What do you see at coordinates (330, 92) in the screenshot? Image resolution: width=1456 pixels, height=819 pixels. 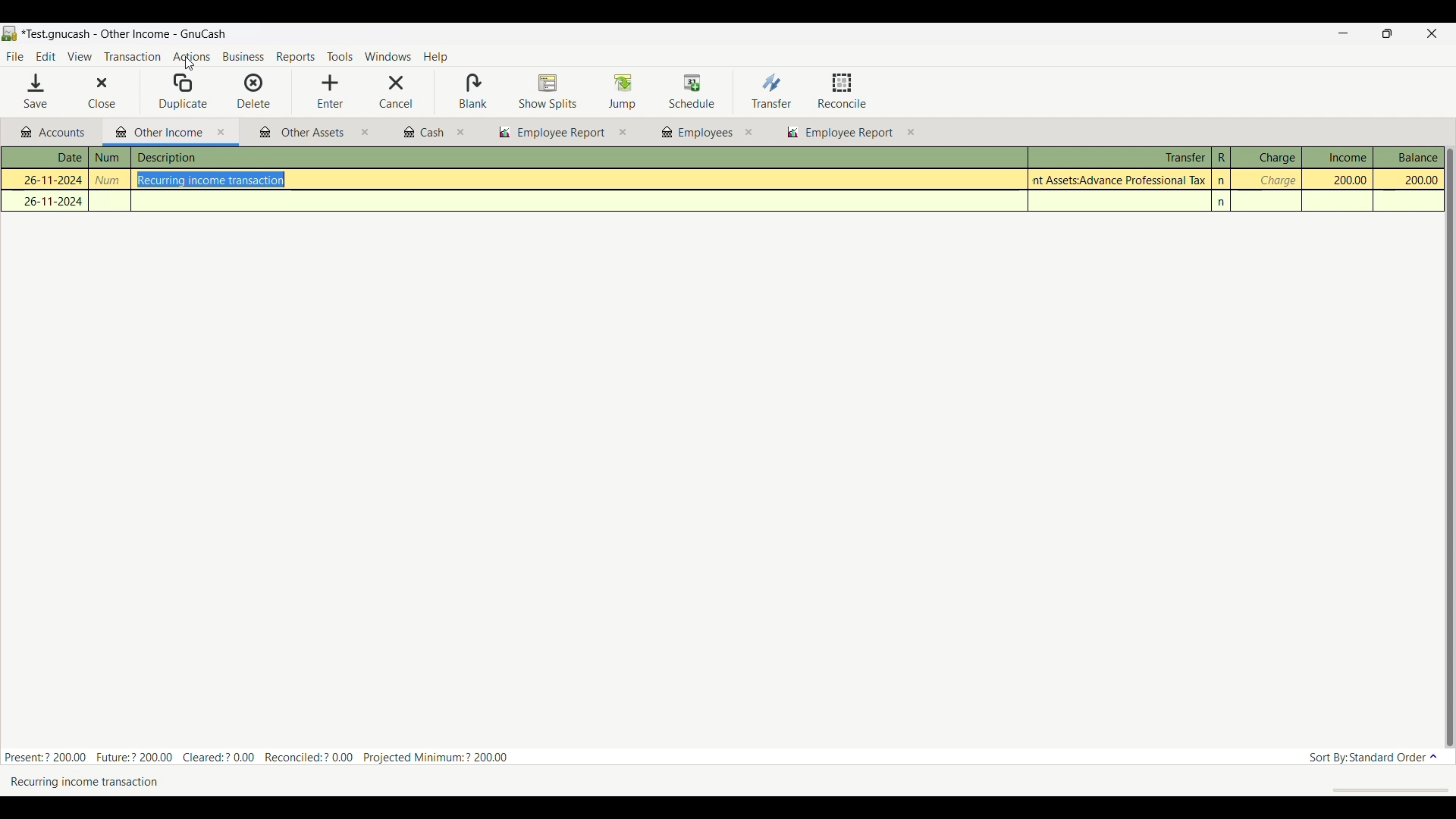 I see `Enter` at bounding box center [330, 92].